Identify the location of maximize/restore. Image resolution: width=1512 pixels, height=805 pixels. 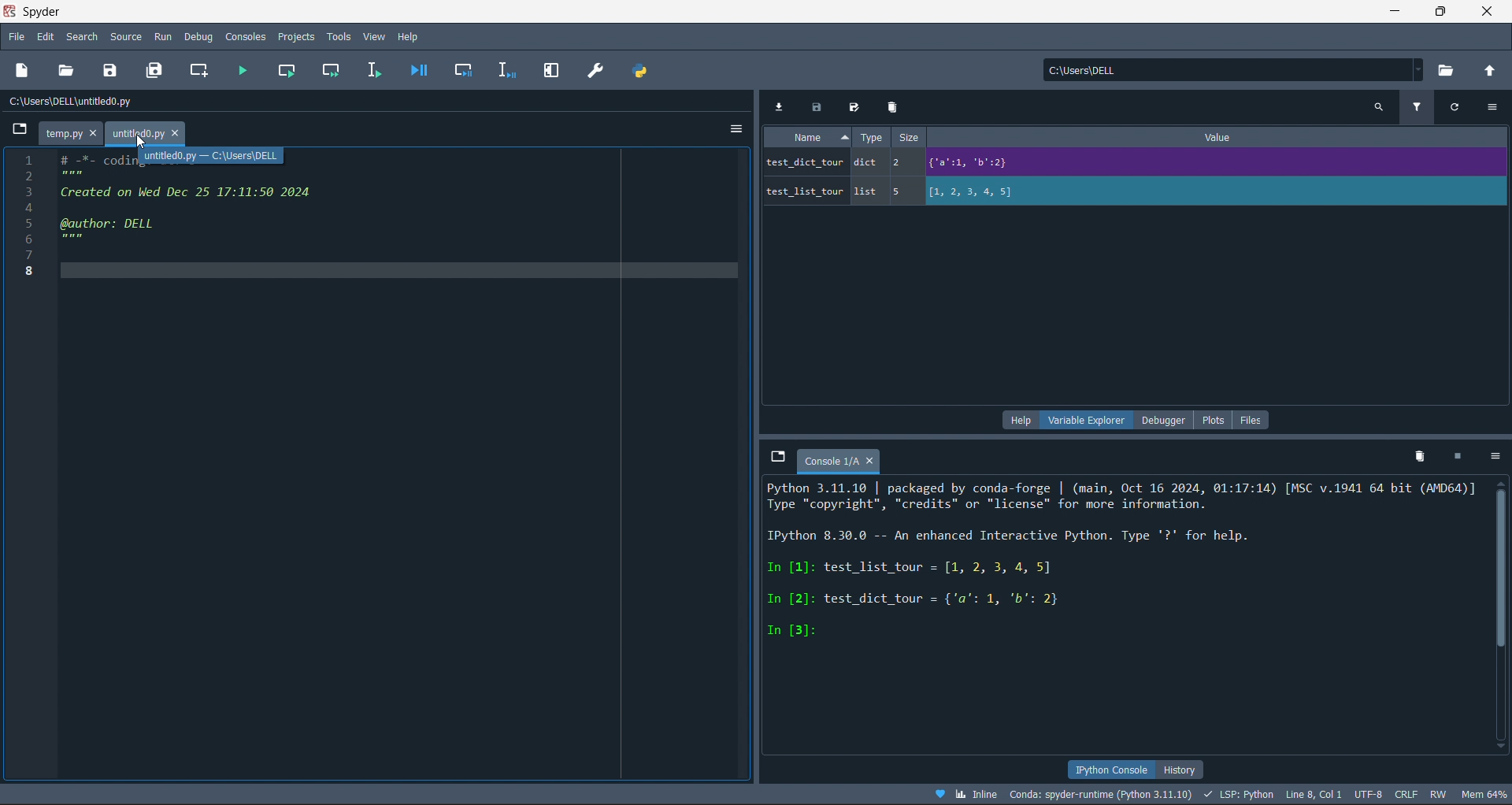
(1438, 12).